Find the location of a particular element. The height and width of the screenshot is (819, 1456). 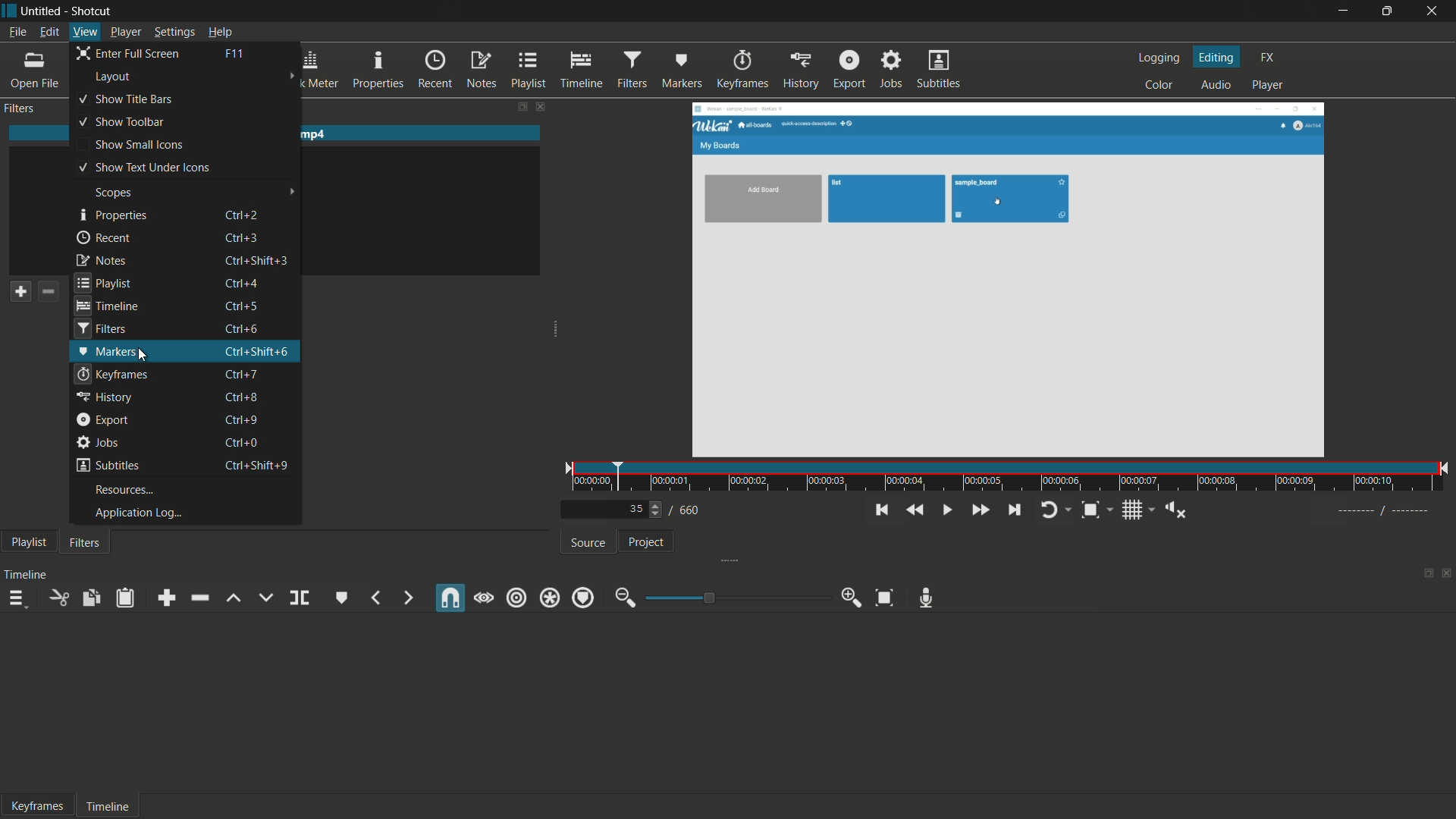

keyboard shortcut is located at coordinates (240, 441).